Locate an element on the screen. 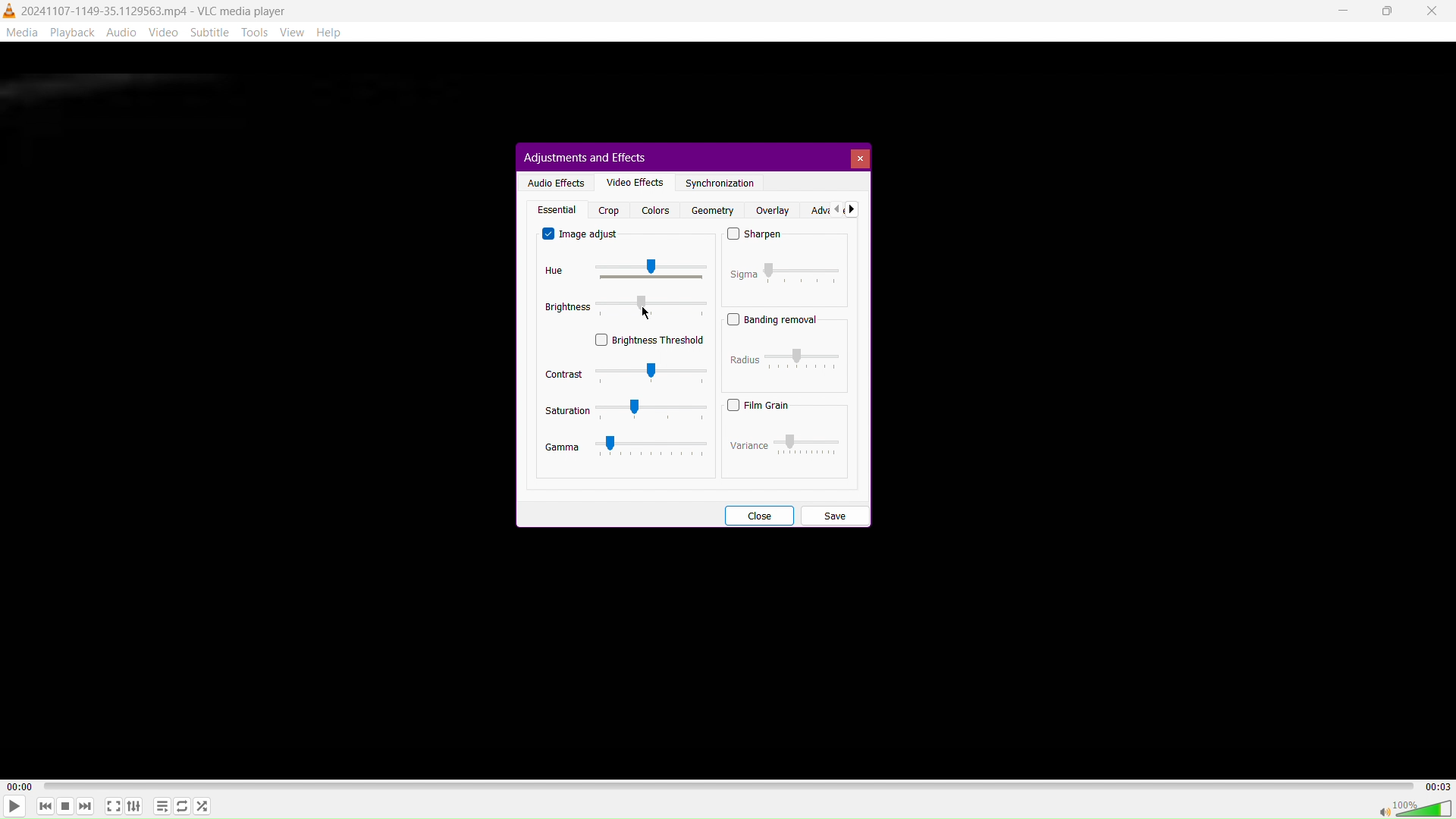 Image resolution: width=1456 pixels, height=819 pixels. Banding Removal is located at coordinates (773, 319).